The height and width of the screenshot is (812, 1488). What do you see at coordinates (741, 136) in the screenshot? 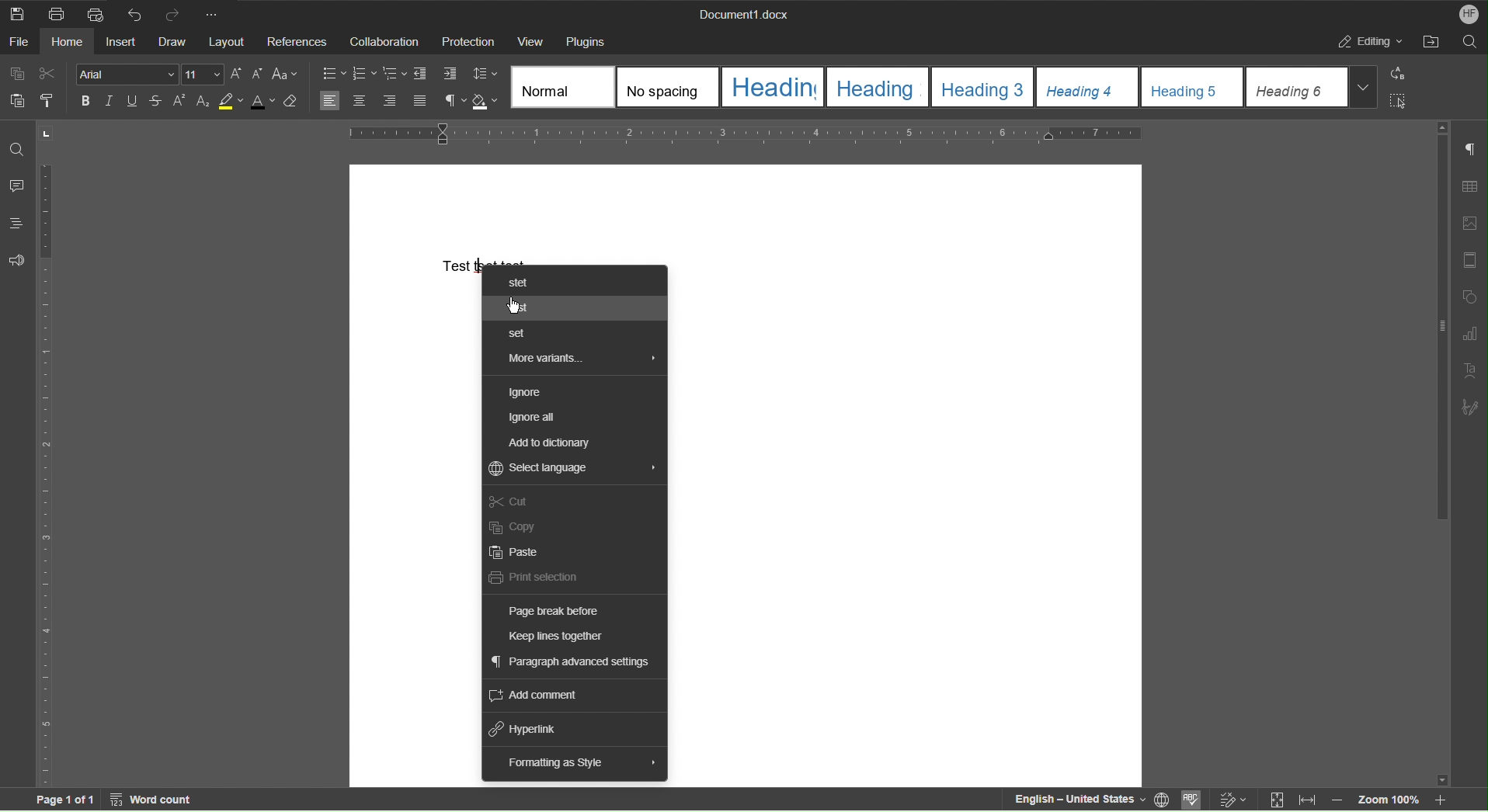
I see `Horizontal Ruler` at bounding box center [741, 136].